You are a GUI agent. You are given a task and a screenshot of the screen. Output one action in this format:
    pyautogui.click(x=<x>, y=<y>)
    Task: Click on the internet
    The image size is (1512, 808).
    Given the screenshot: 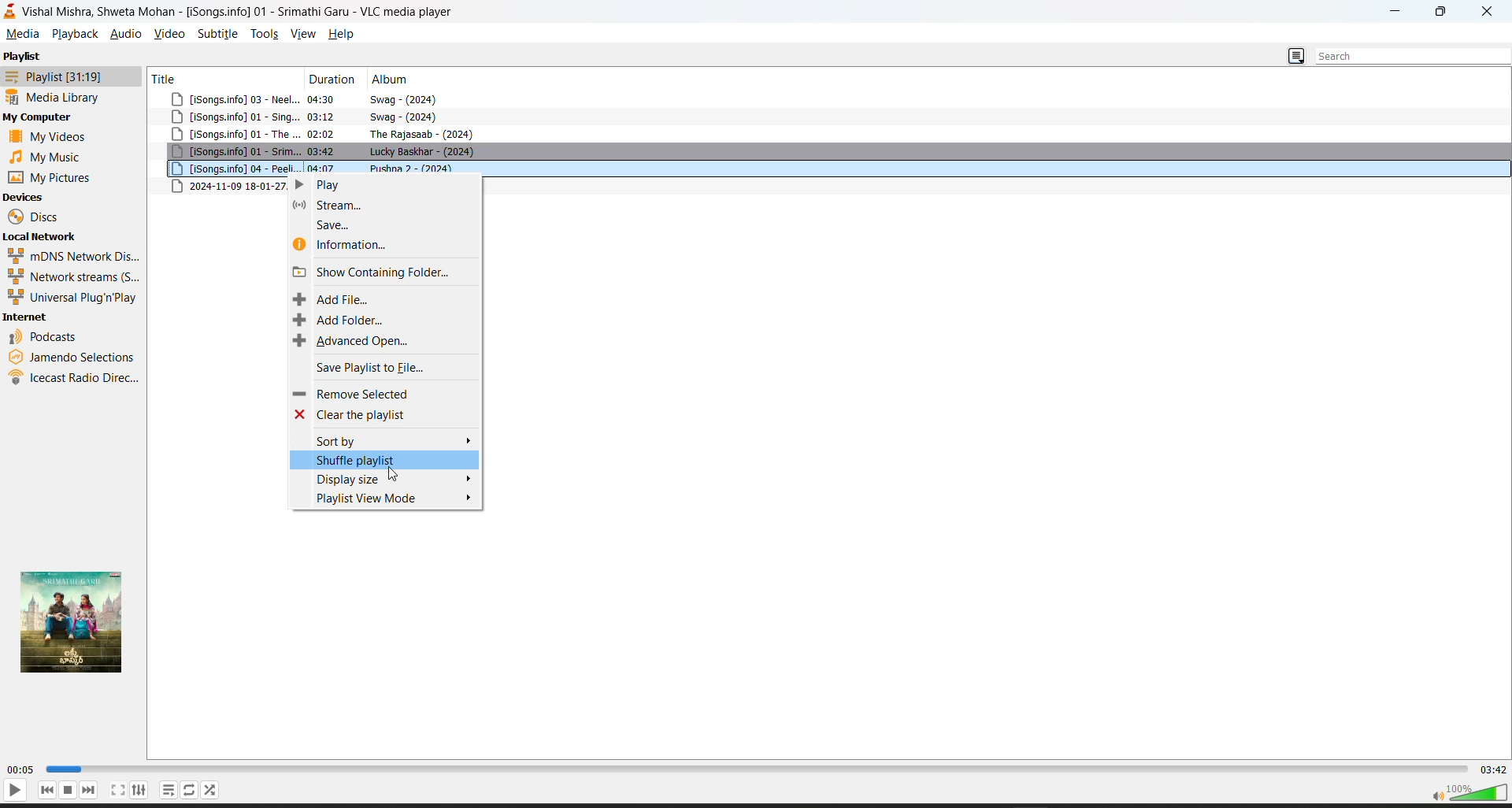 What is the action you would take?
    pyautogui.click(x=29, y=317)
    